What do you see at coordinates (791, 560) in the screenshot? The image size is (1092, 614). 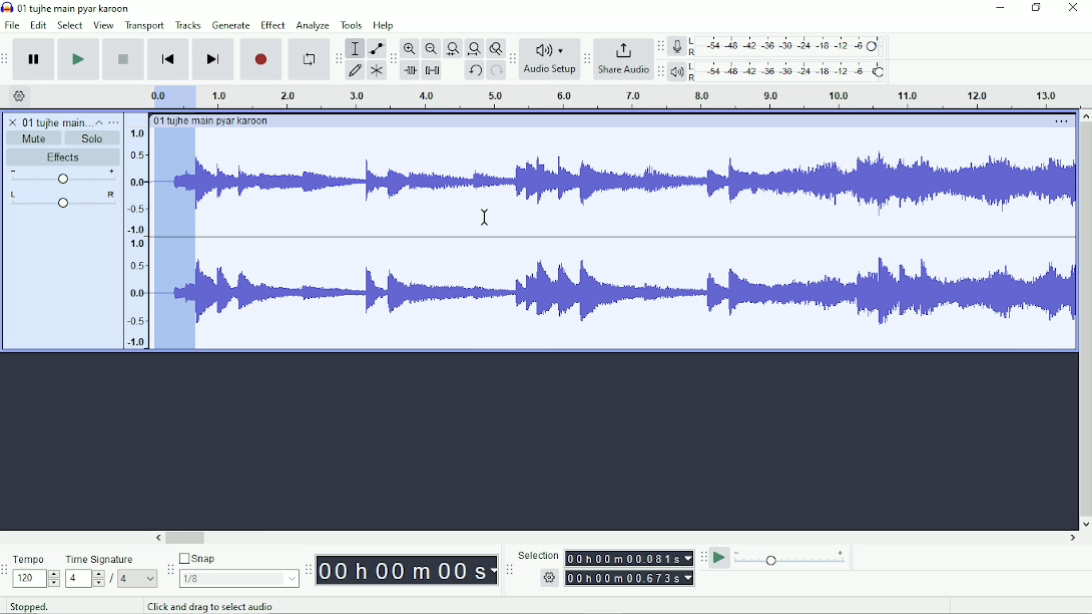 I see `Playback speed` at bounding box center [791, 560].